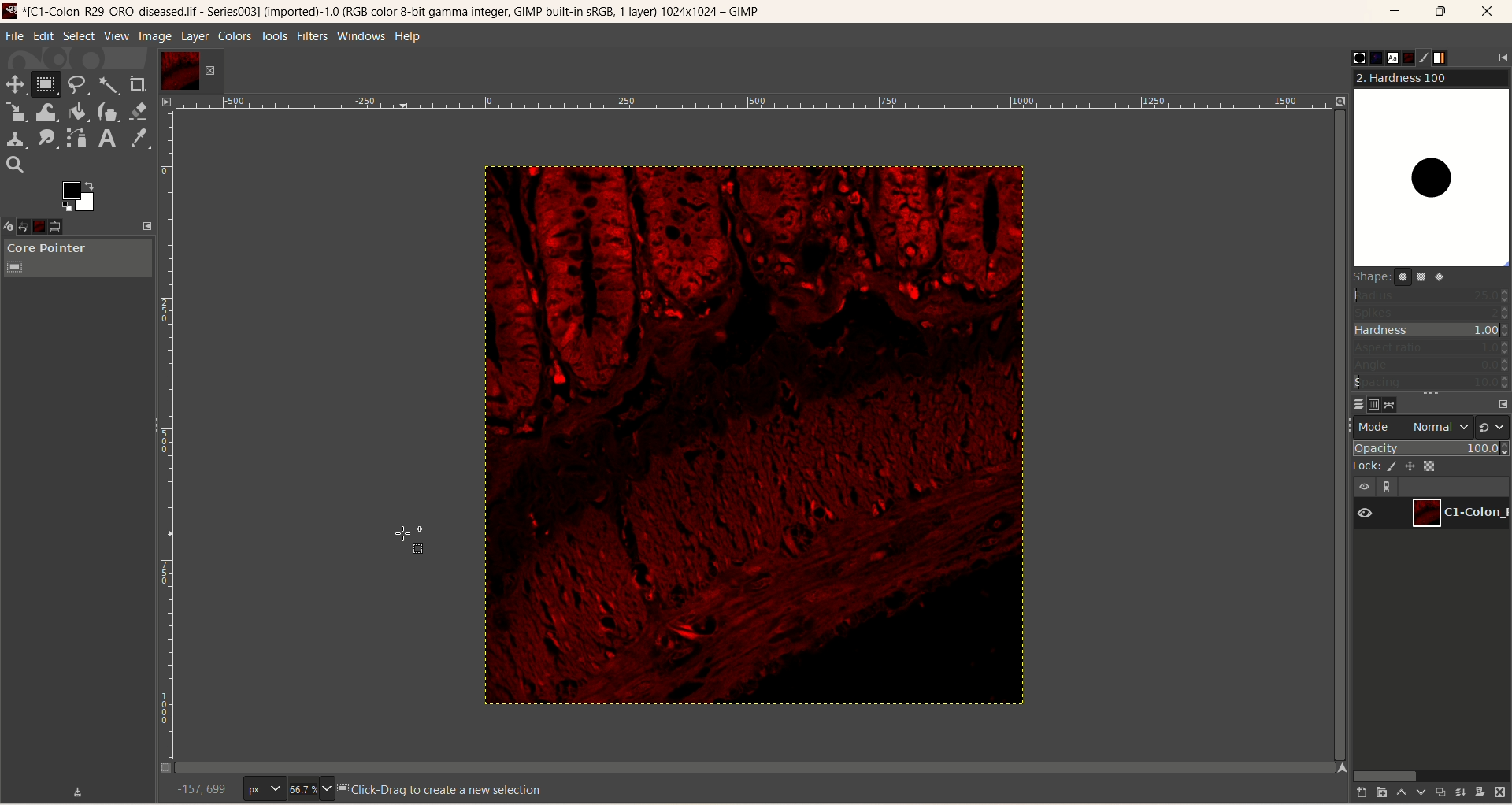 This screenshot has width=1512, height=805. What do you see at coordinates (50, 224) in the screenshot?
I see `images` at bounding box center [50, 224].